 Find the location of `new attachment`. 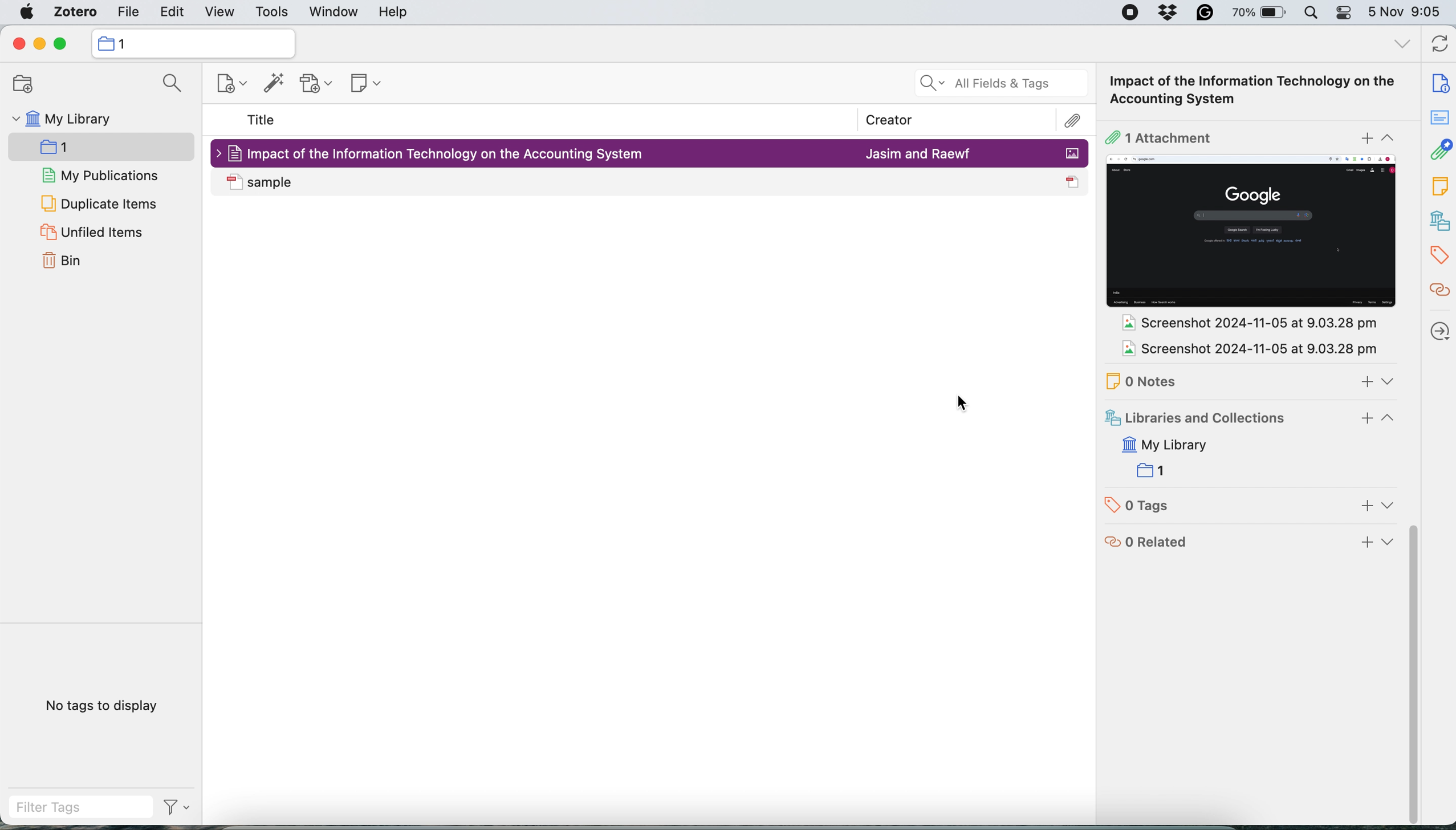

new attachment is located at coordinates (318, 83).